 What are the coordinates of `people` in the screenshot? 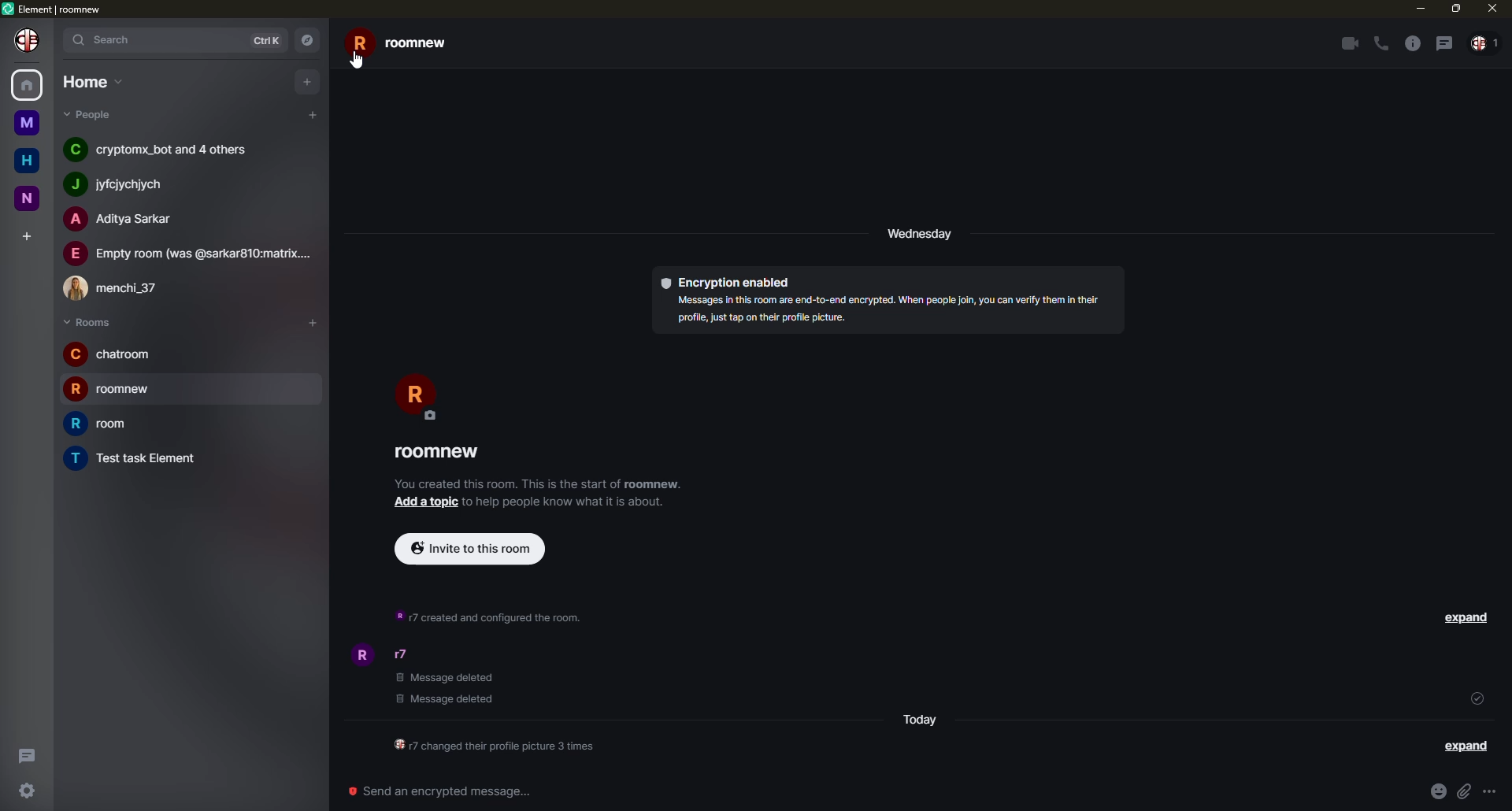 It's located at (190, 252).